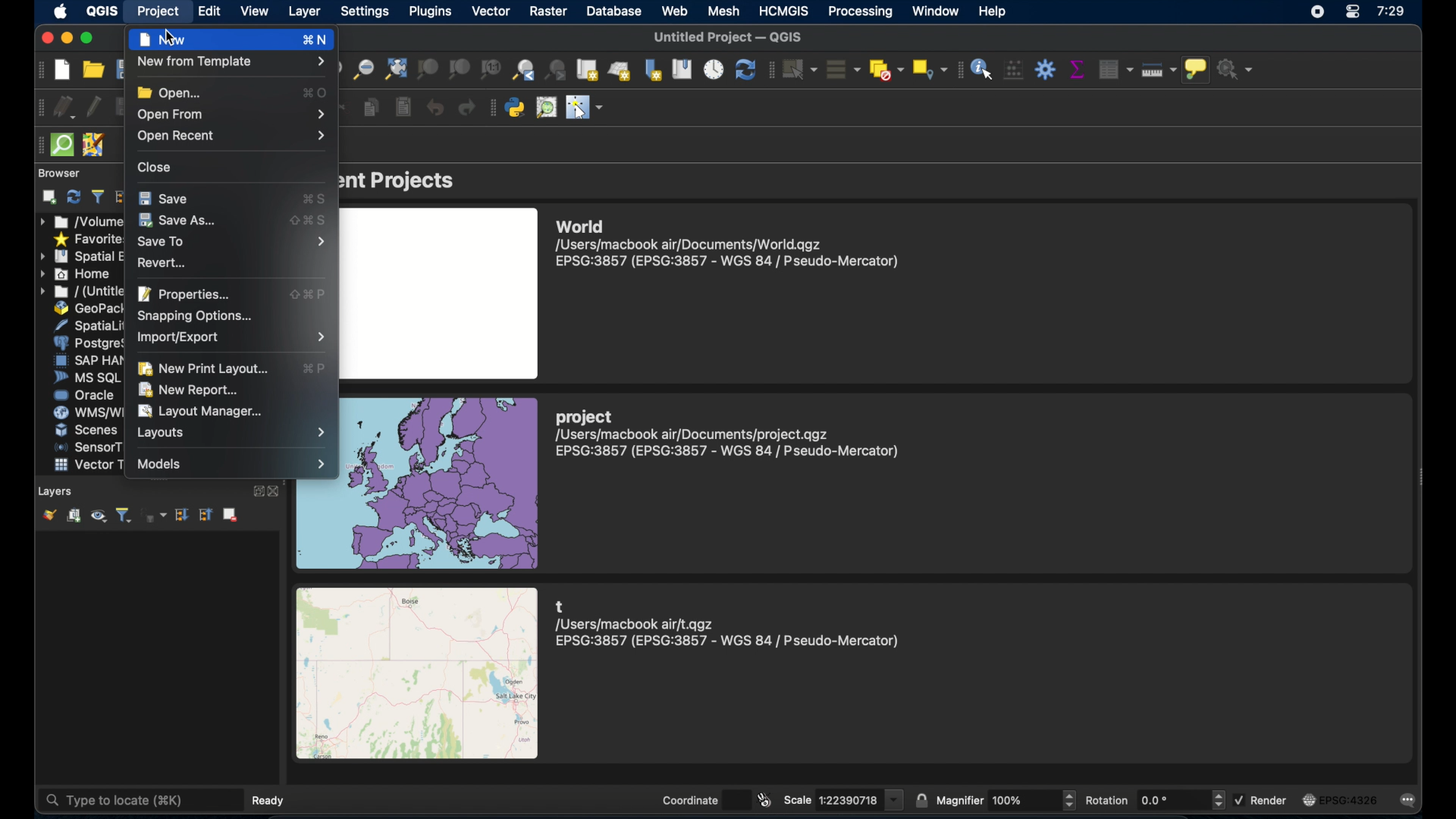 Image resolution: width=1456 pixels, height=819 pixels. Describe the element at coordinates (154, 516) in the screenshot. I see `filter legend by expression` at that location.